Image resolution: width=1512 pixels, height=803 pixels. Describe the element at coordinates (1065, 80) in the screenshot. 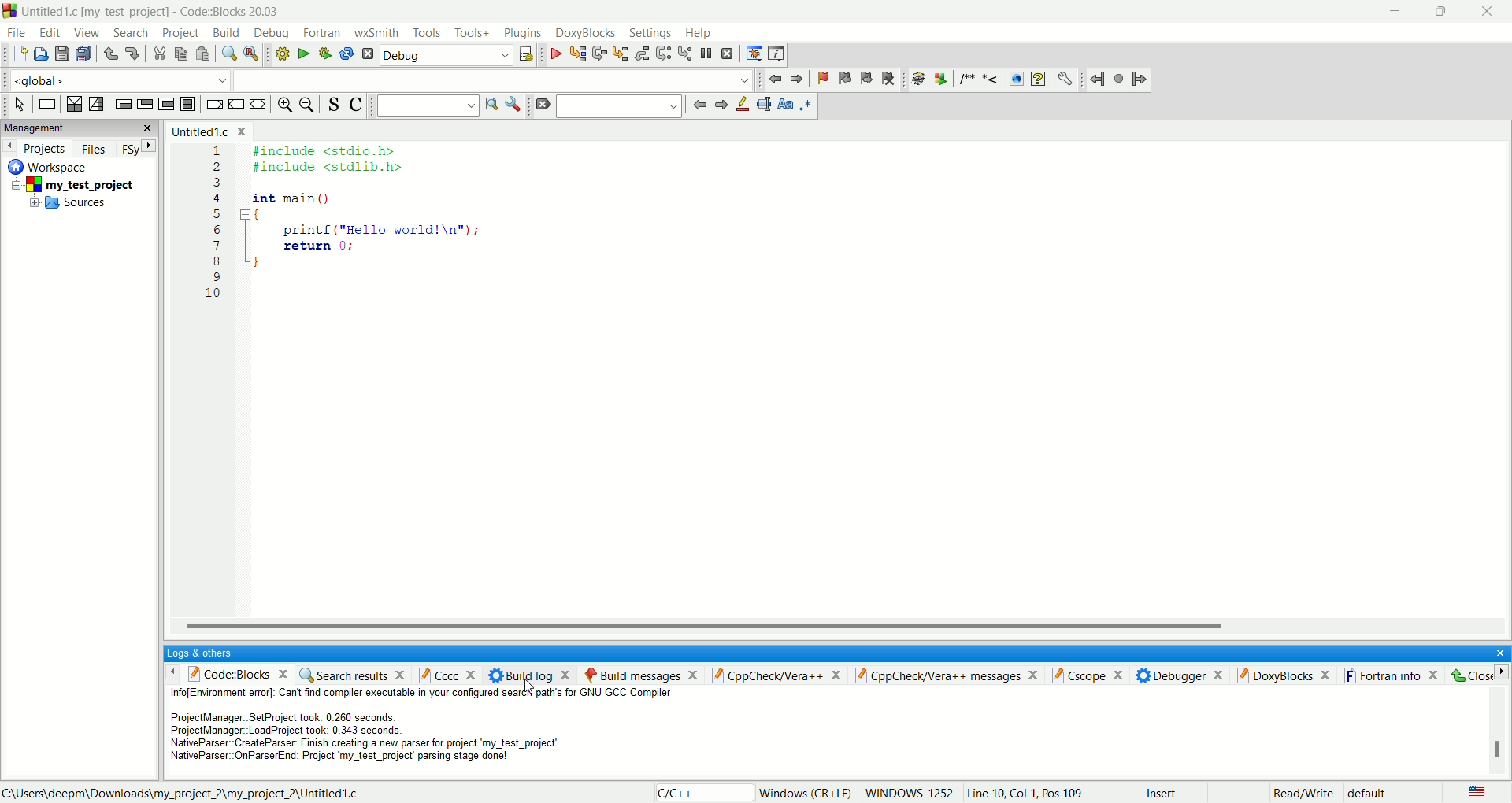

I see `preferences` at that location.